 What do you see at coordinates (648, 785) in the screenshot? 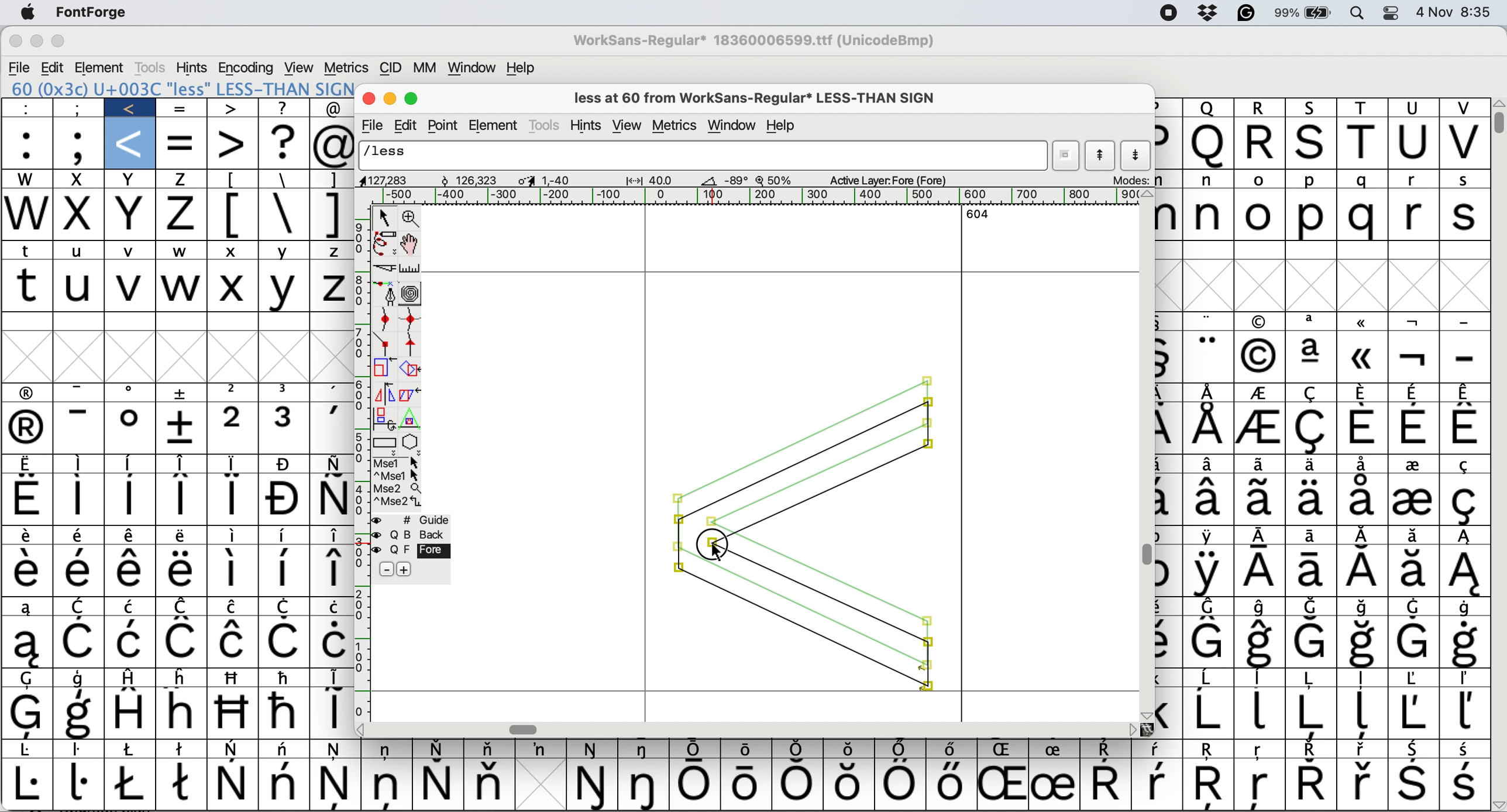
I see `Symbol` at bounding box center [648, 785].